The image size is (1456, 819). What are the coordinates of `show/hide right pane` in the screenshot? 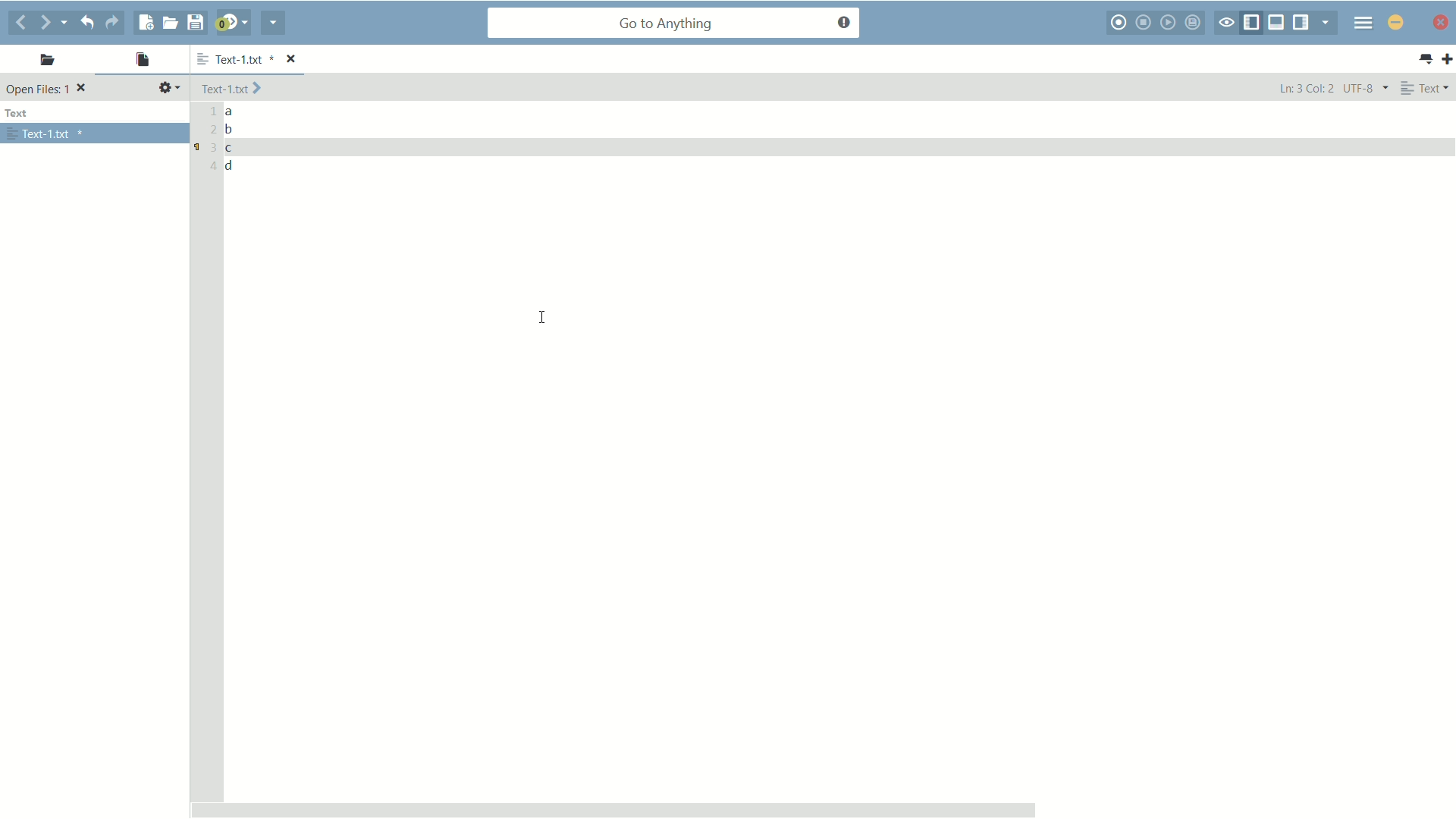 It's located at (1302, 22).